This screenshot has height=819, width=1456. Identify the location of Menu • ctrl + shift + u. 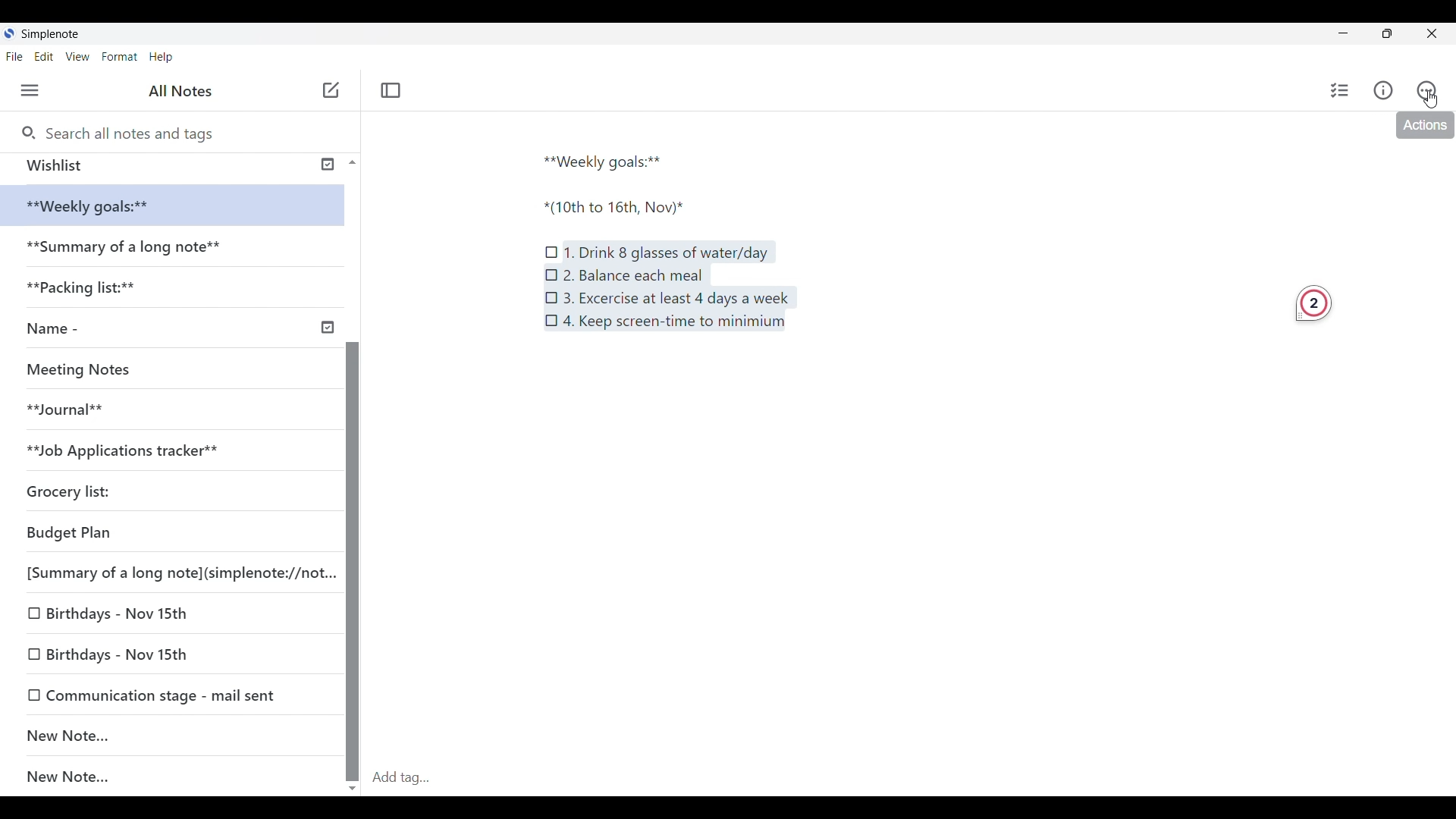
(36, 90).